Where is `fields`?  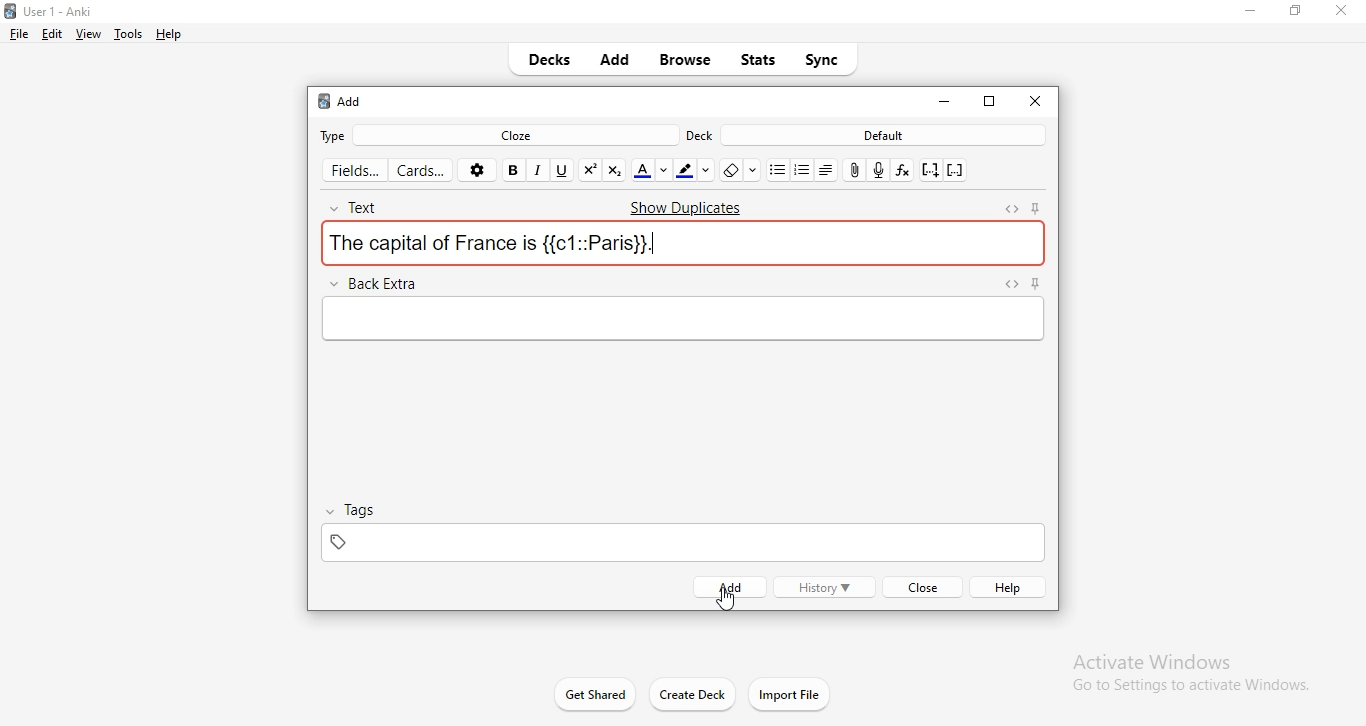 fields is located at coordinates (354, 167).